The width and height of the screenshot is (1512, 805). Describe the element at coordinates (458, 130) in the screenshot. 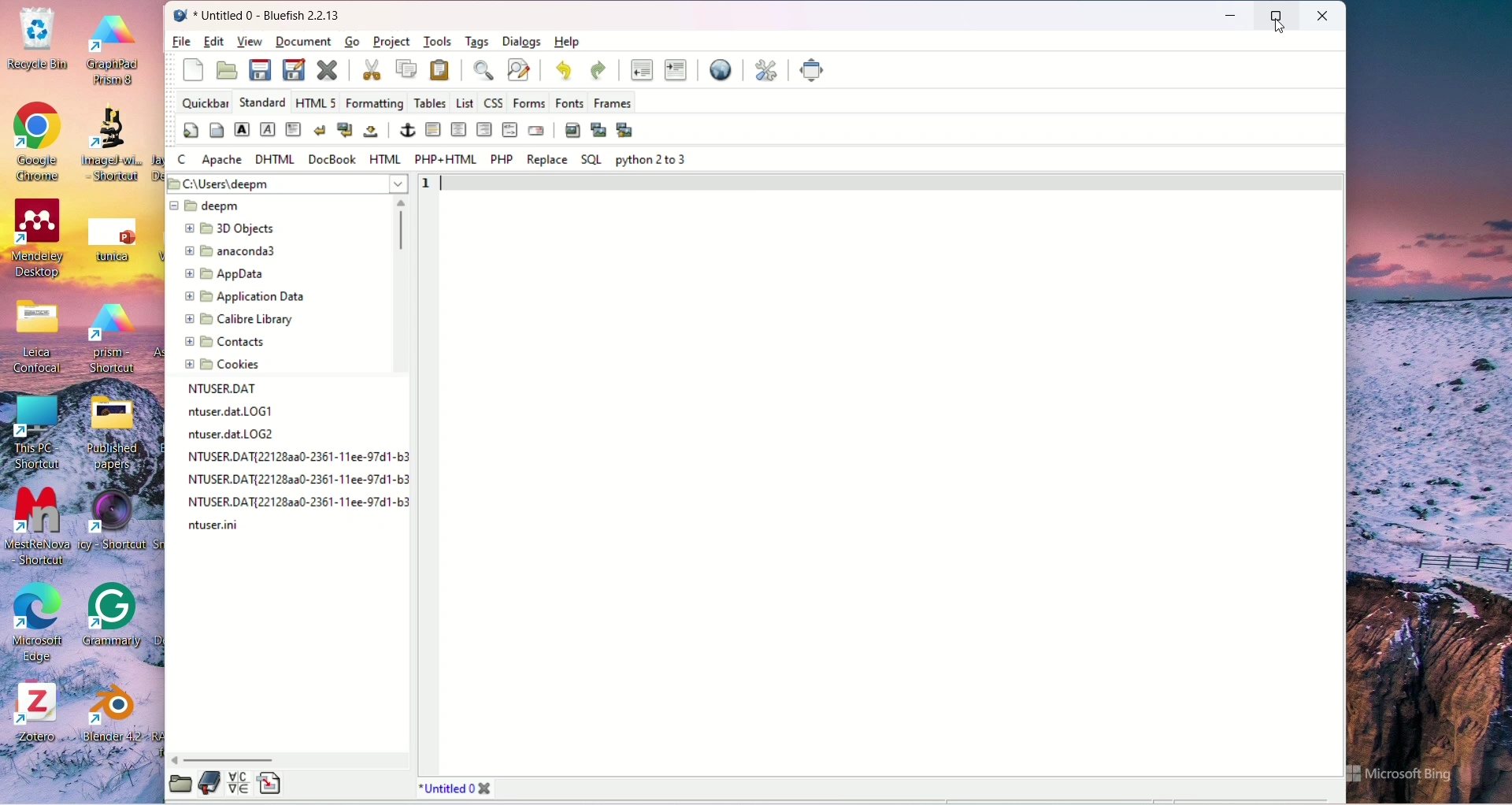

I see `center` at that location.